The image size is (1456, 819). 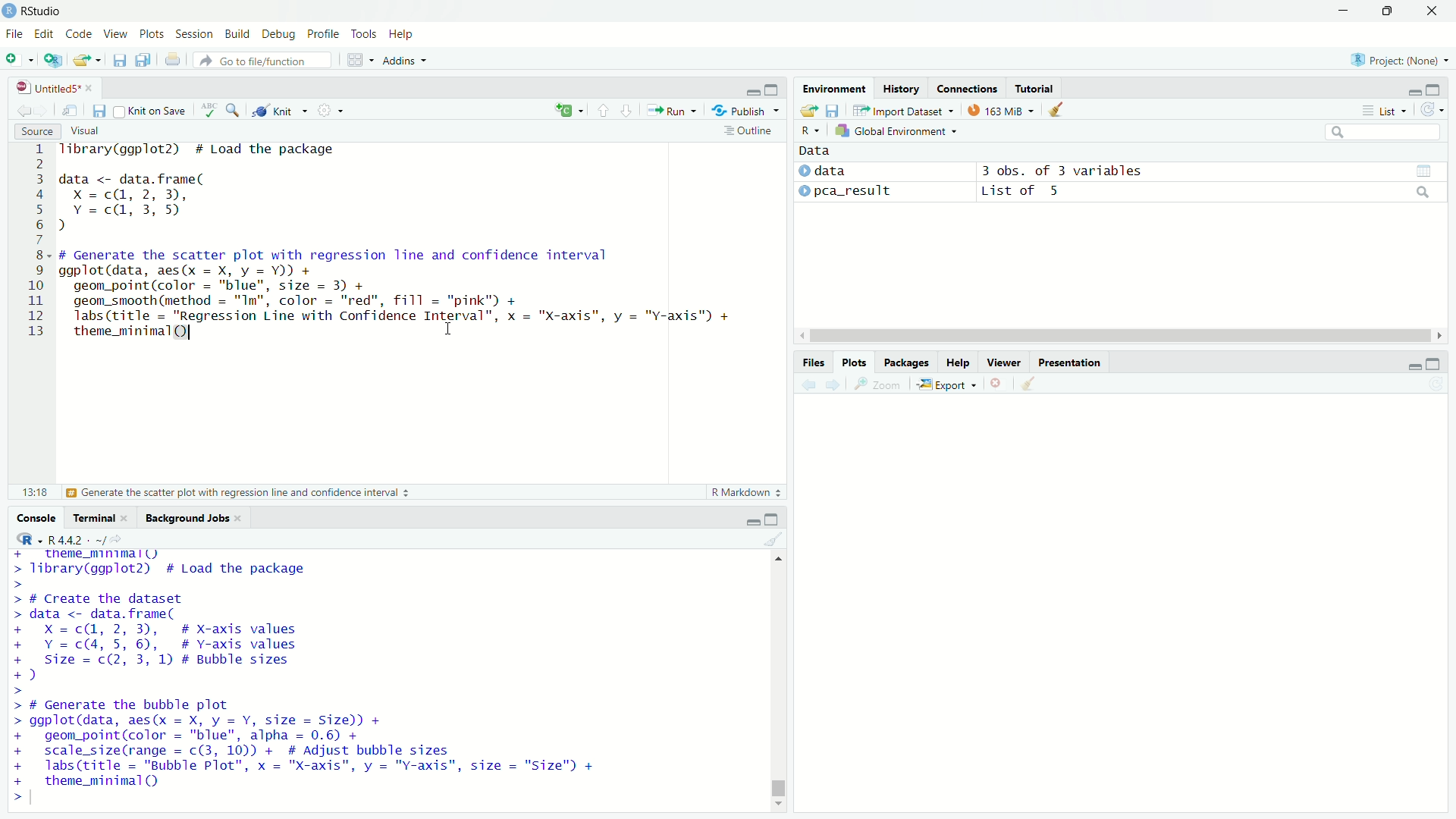 What do you see at coordinates (968, 88) in the screenshot?
I see `Connections` at bounding box center [968, 88].